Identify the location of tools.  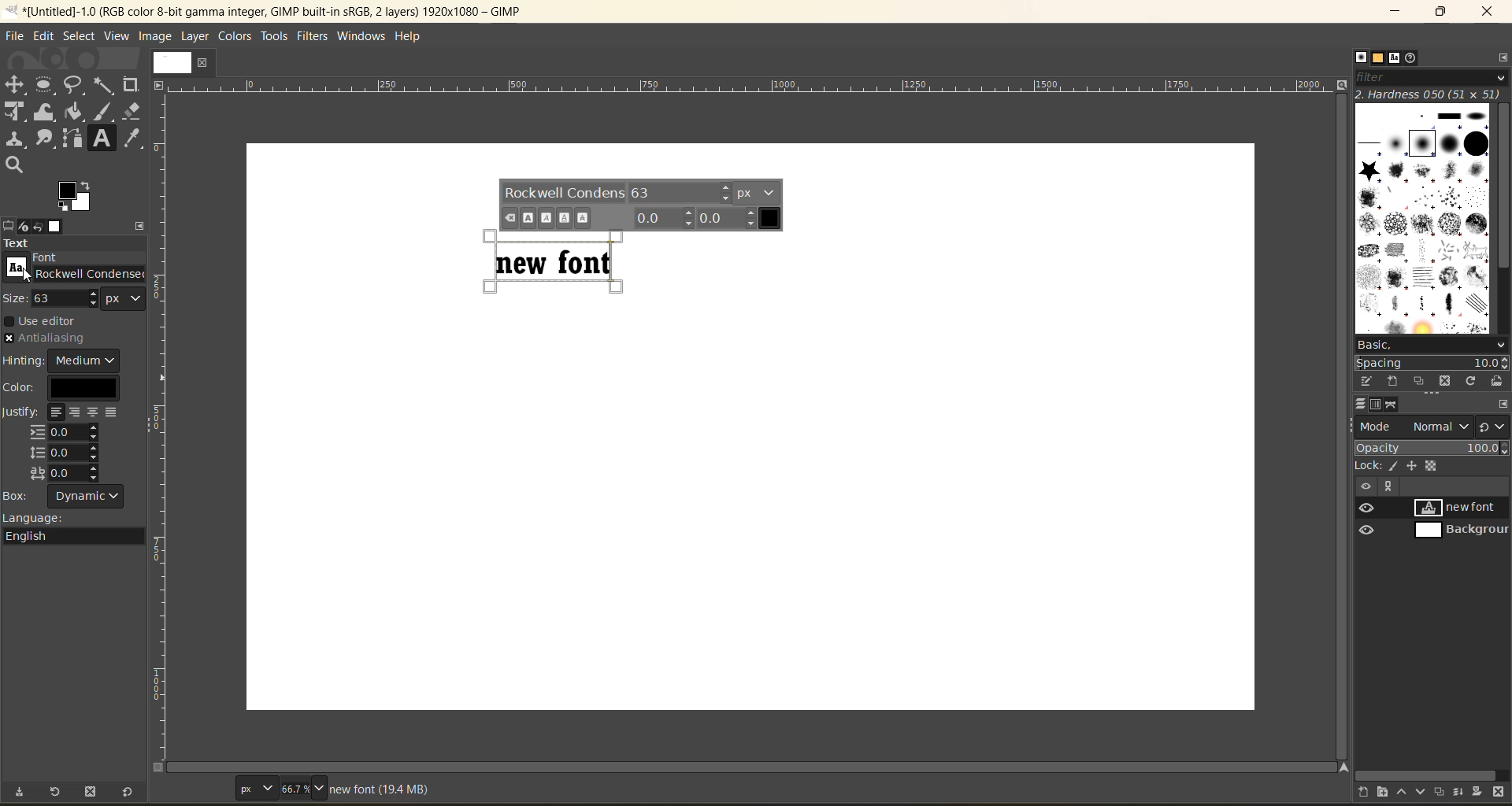
(76, 126).